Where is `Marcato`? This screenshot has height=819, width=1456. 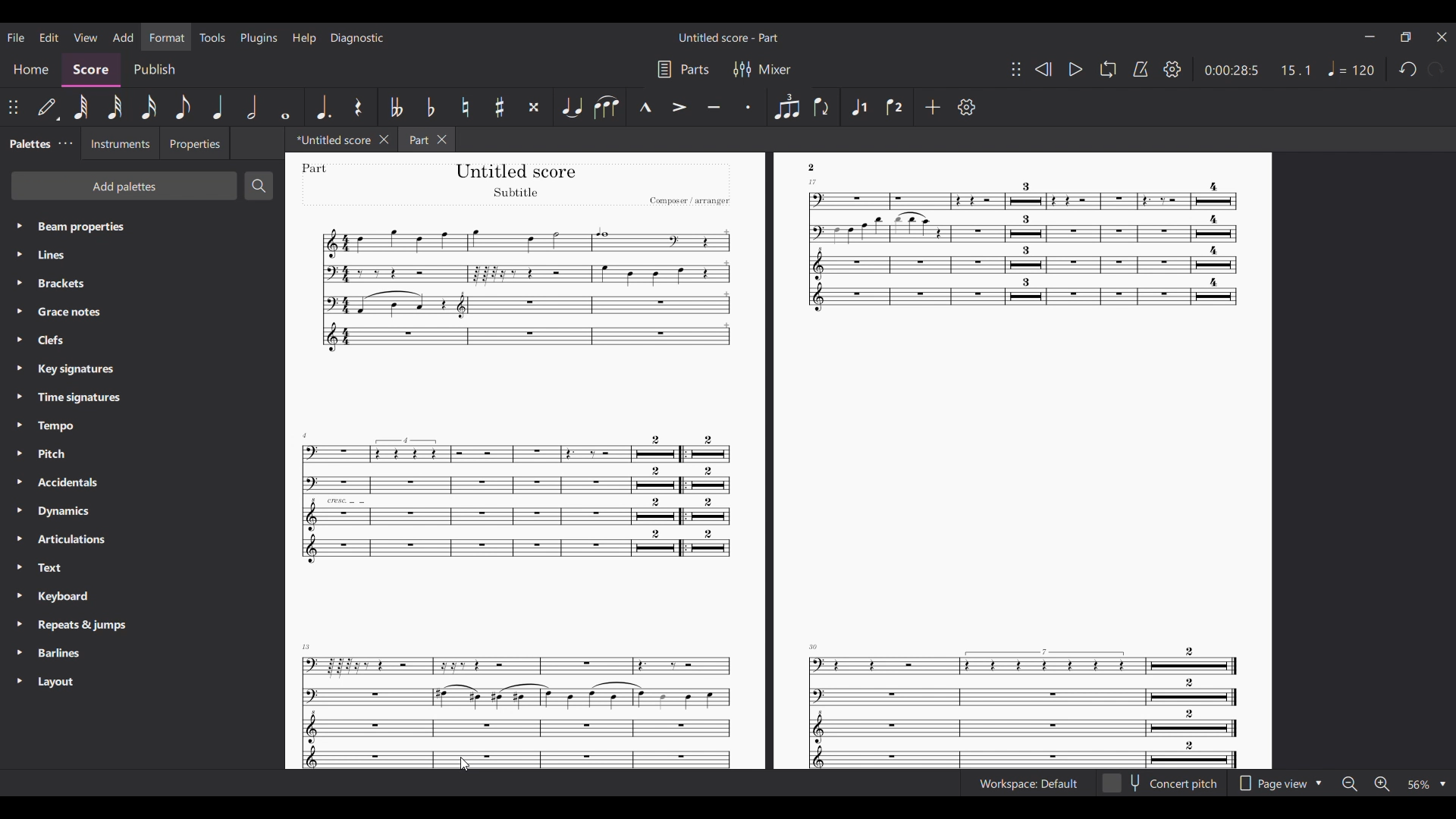 Marcato is located at coordinates (644, 106).